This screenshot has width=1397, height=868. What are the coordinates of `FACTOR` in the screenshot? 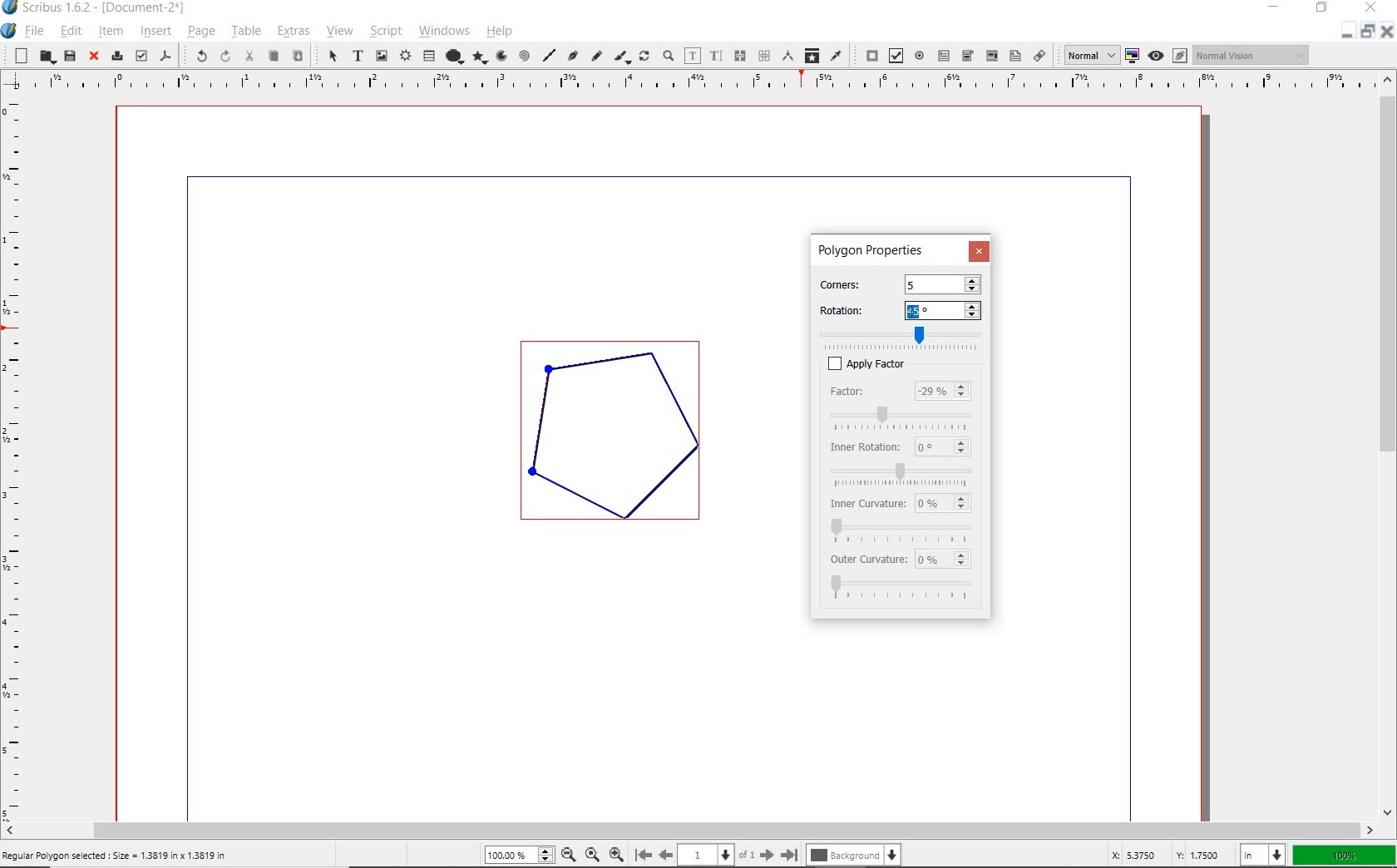 It's located at (865, 392).